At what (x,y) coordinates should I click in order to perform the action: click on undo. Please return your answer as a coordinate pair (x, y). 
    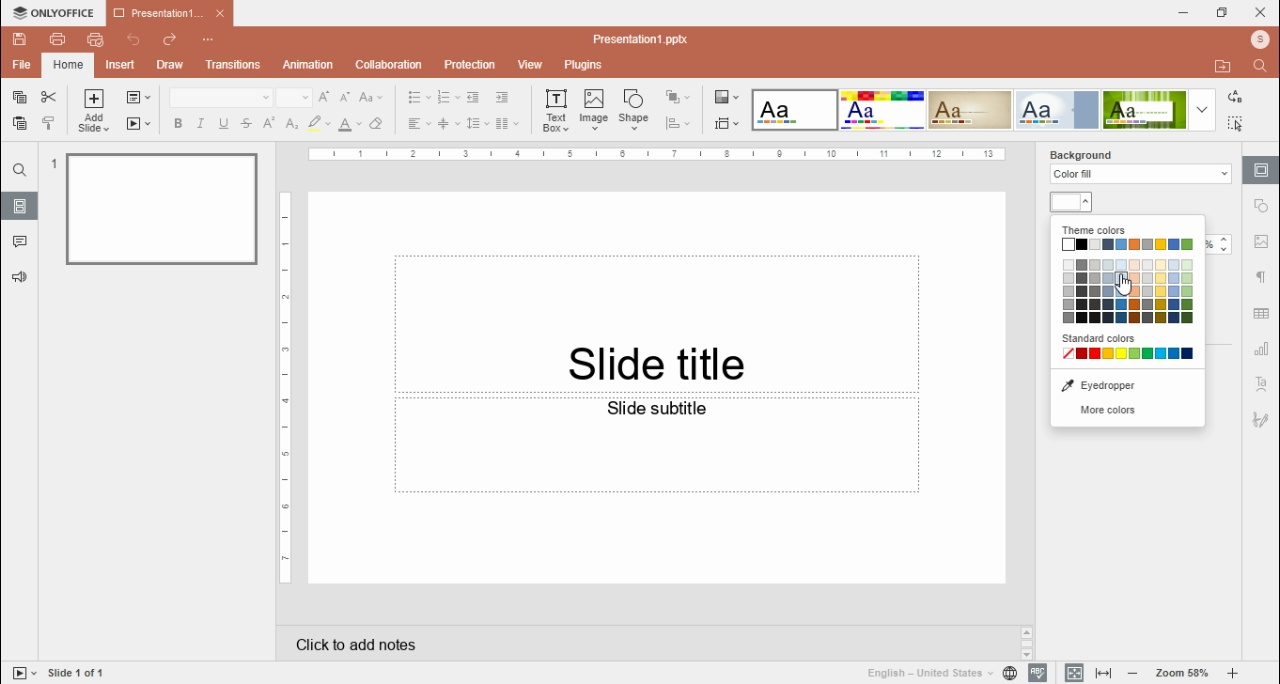
    Looking at the image, I should click on (135, 40).